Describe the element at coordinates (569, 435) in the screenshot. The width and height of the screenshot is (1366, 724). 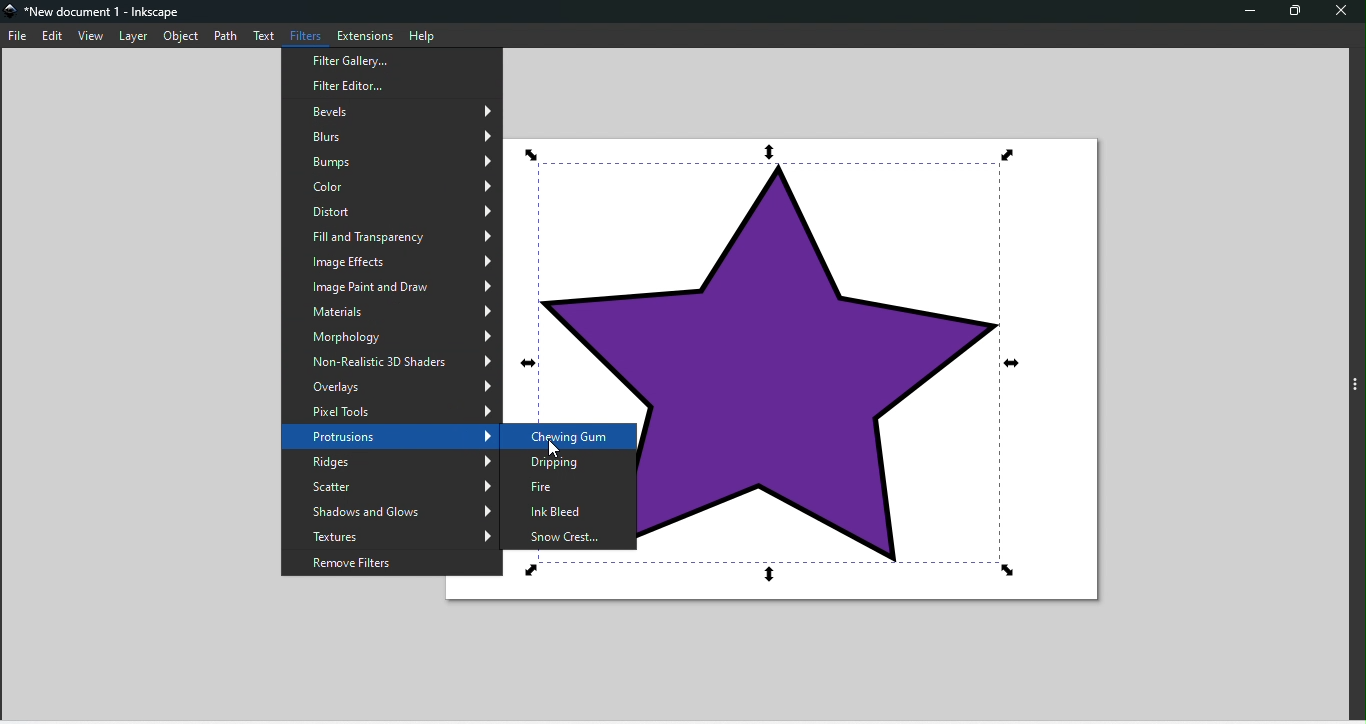
I see `Chewing gum "hover"` at that location.